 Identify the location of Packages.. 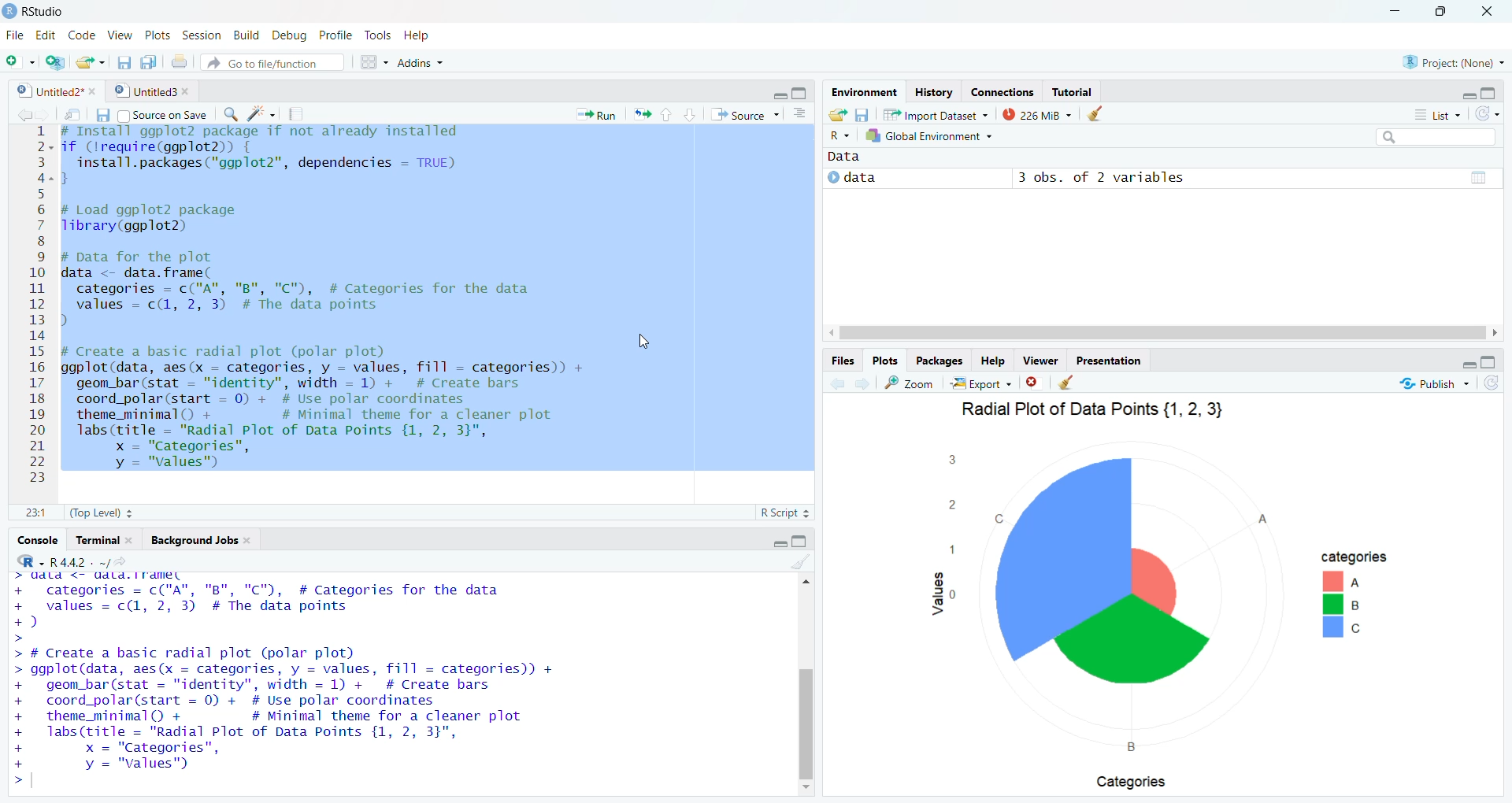
(939, 361).